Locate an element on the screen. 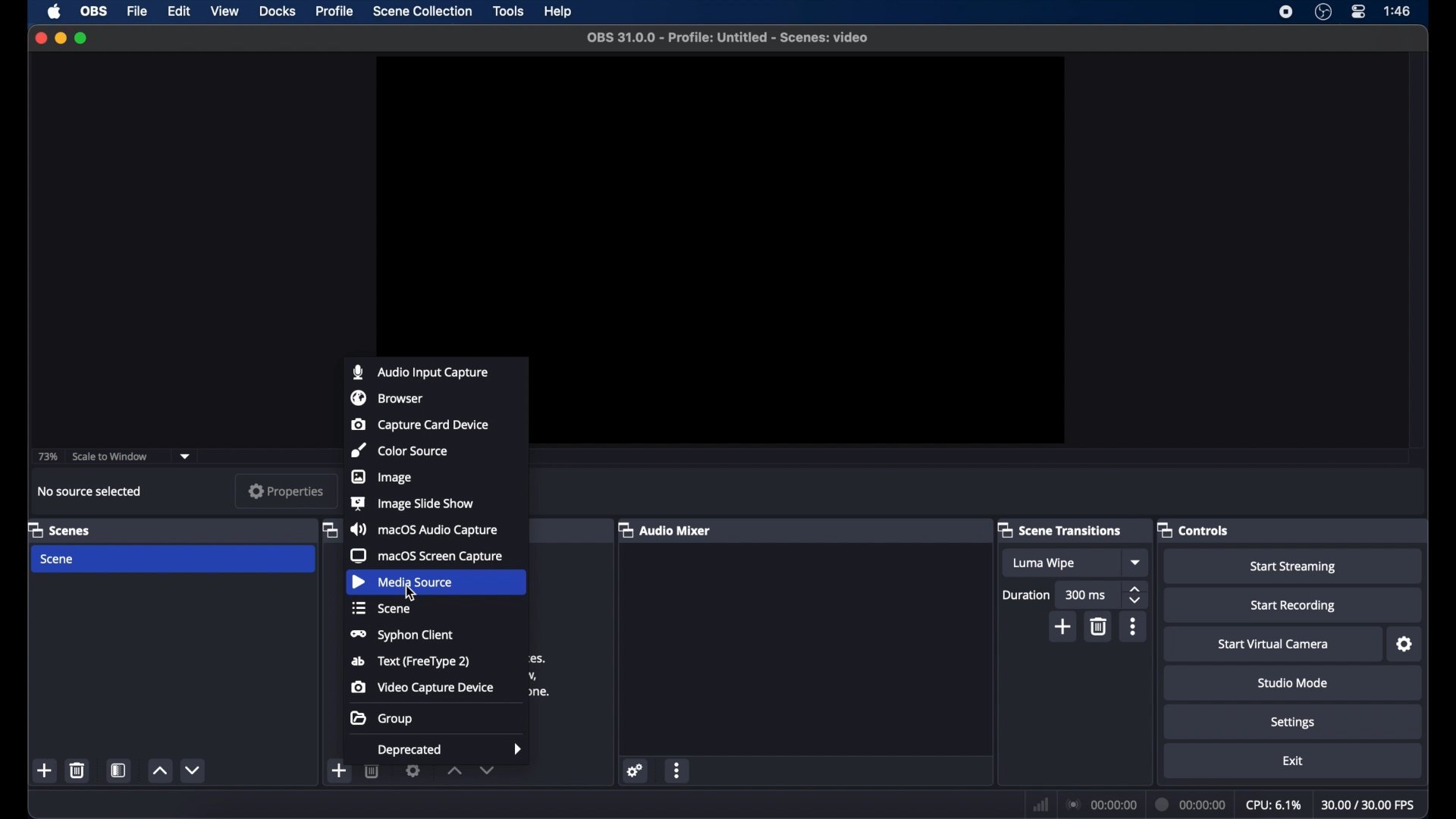 The height and width of the screenshot is (819, 1456). media source is located at coordinates (402, 582).